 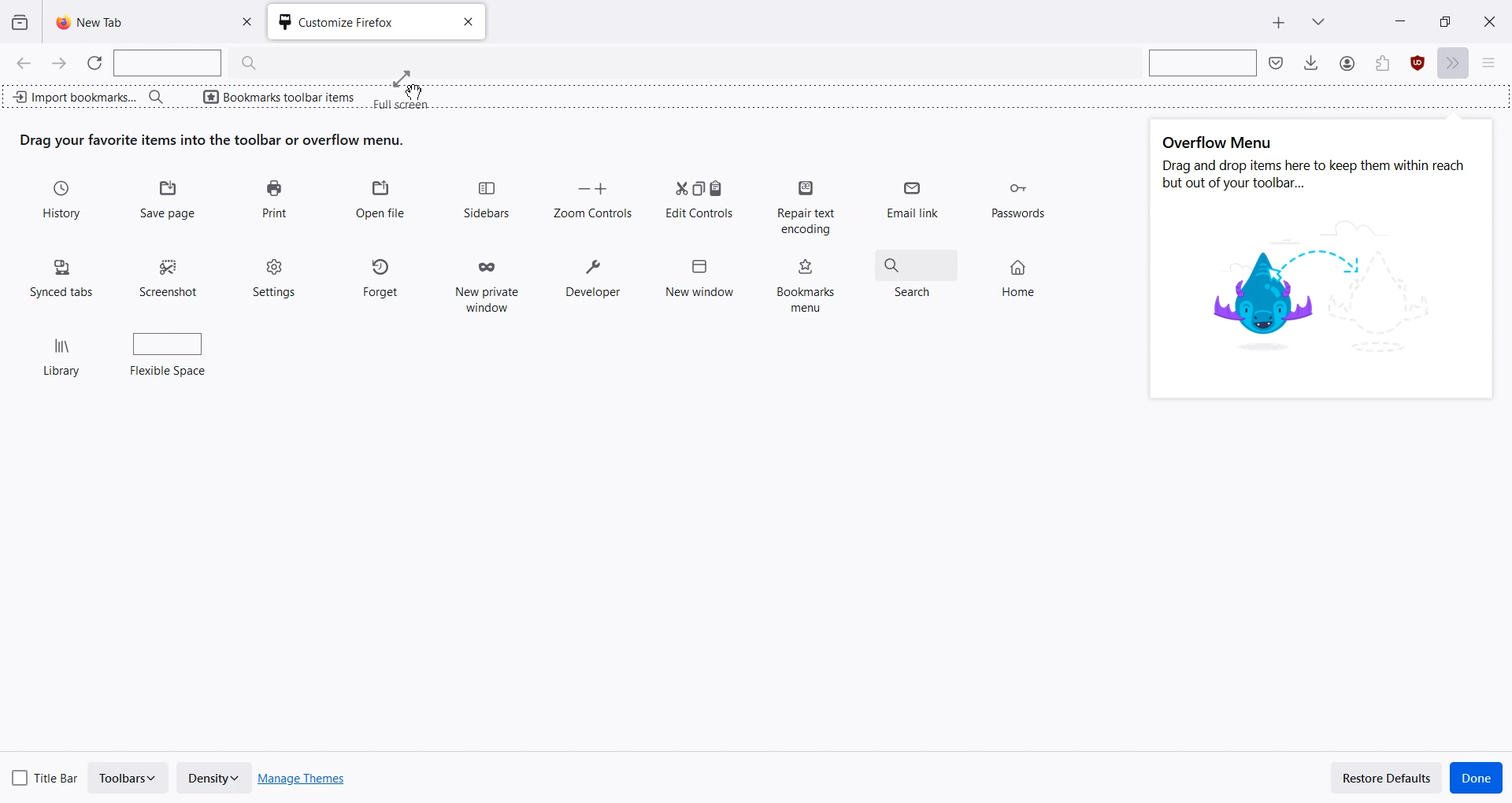 What do you see at coordinates (593, 279) in the screenshot?
I see `Developer` at bounding box center [593, 279].